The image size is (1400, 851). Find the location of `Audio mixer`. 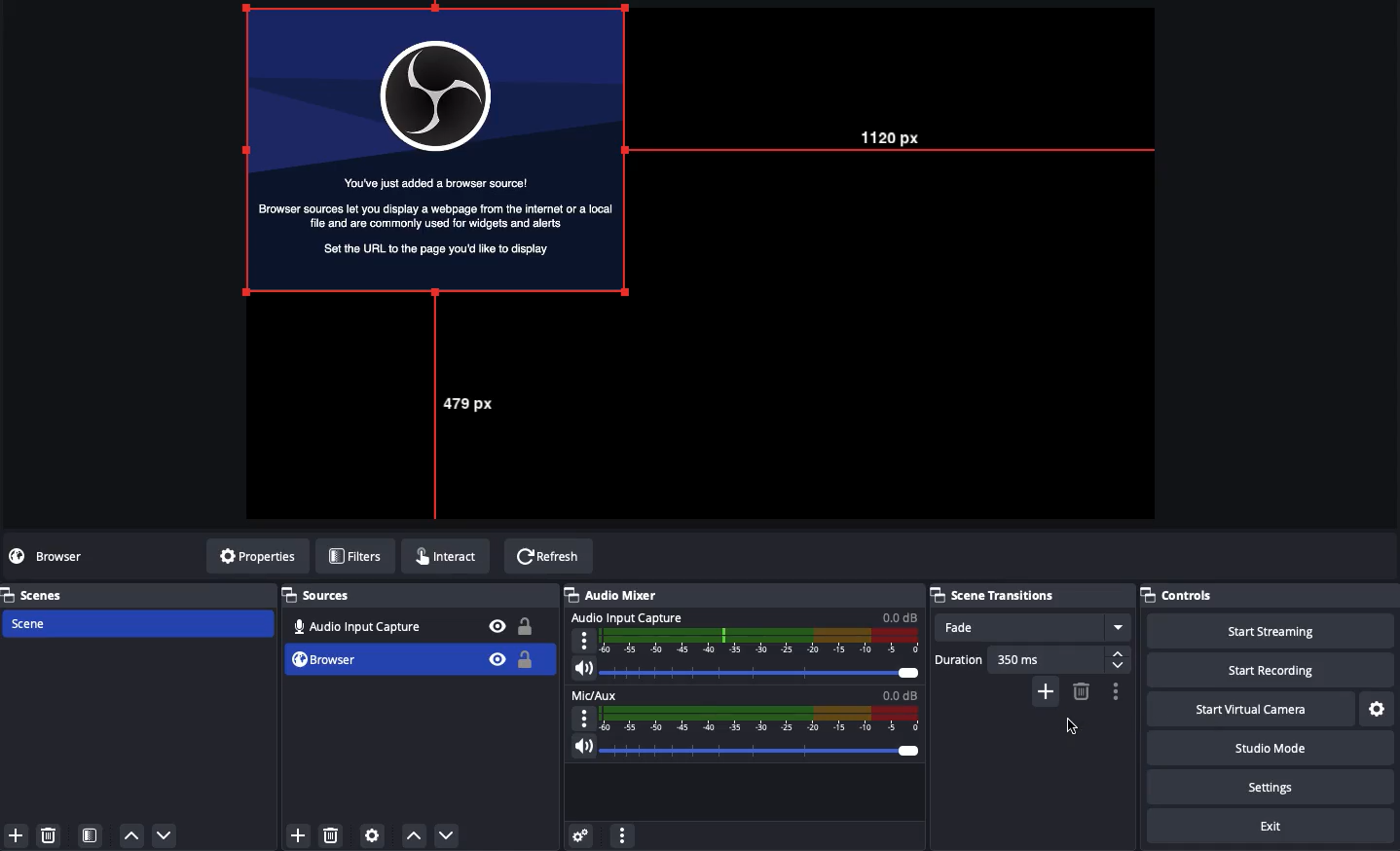

Audio mixer is located at coordinates (621, 594).